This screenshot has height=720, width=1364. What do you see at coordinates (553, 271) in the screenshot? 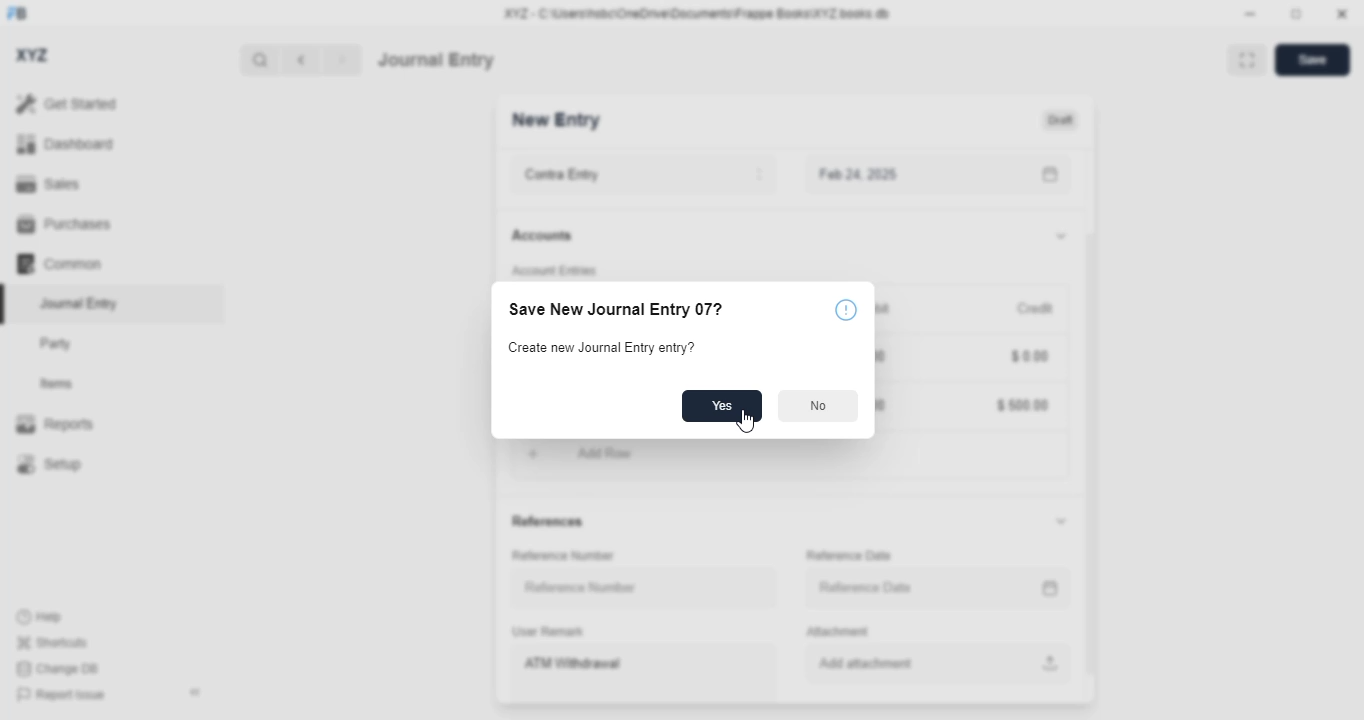
I see `account entries` at bounding box center [553, 271].